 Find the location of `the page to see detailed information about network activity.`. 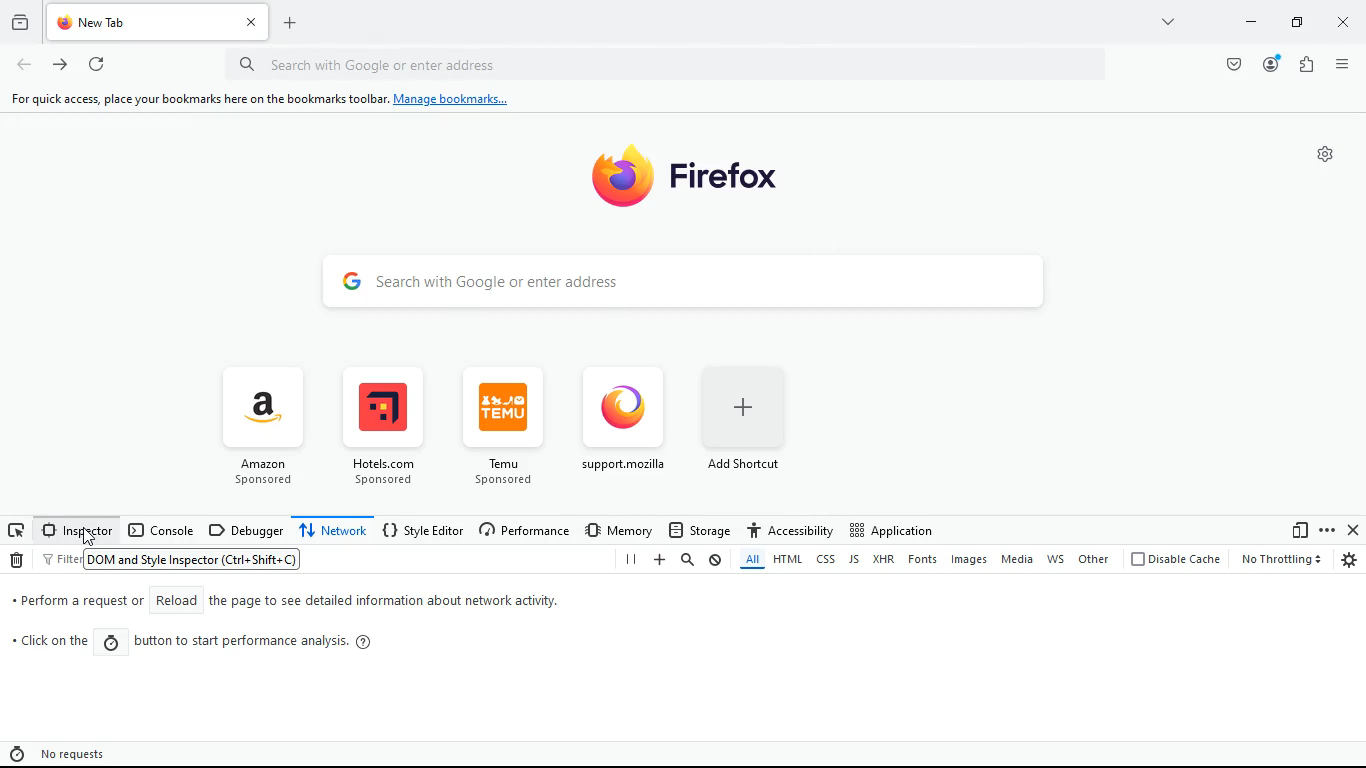

the page to see detailed information about network activity. is located at coordinates (383, 602).